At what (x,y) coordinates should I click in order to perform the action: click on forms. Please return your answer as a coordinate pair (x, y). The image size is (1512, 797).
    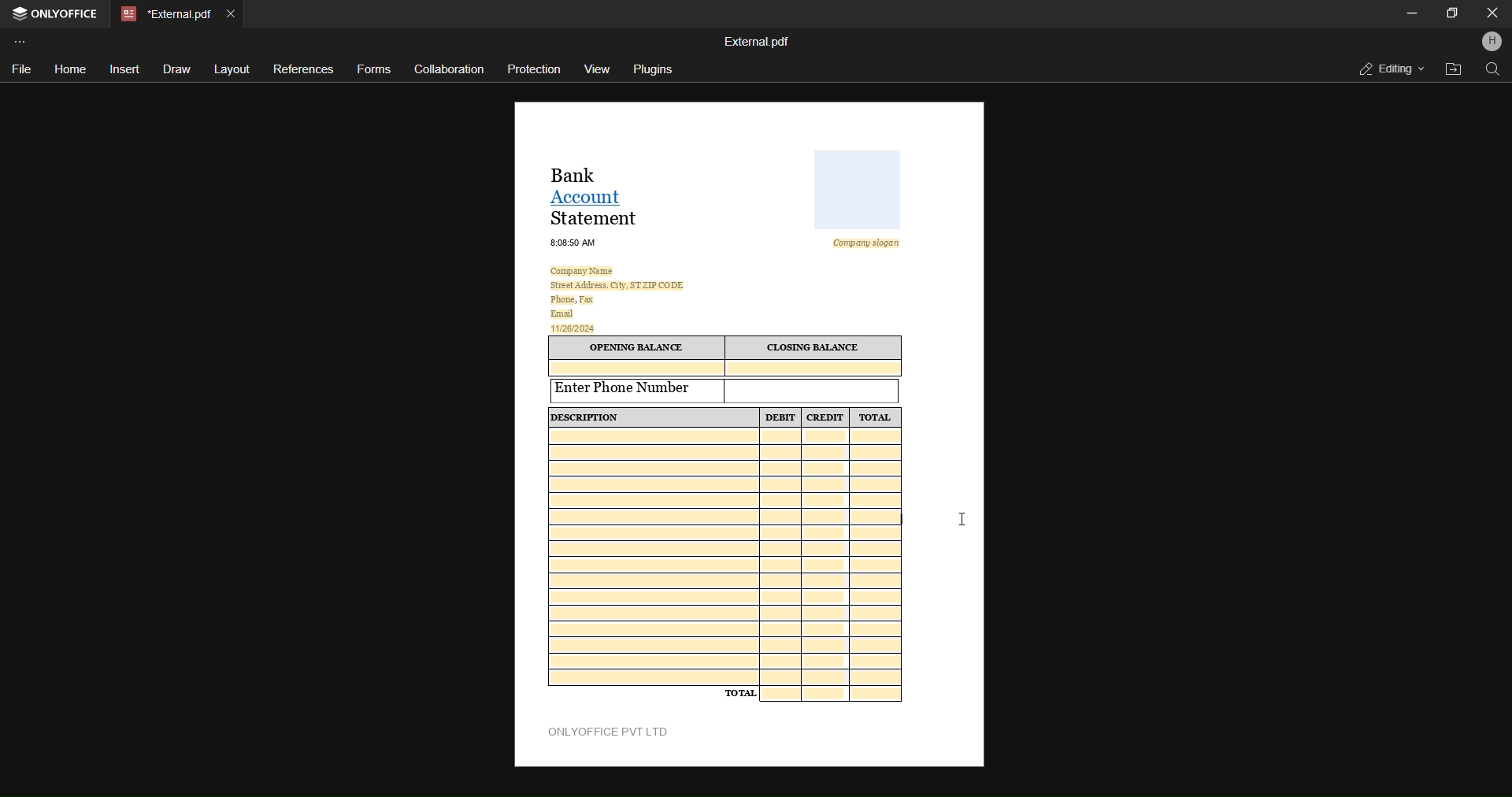
    Looking at the image, I should click on (374, 70).